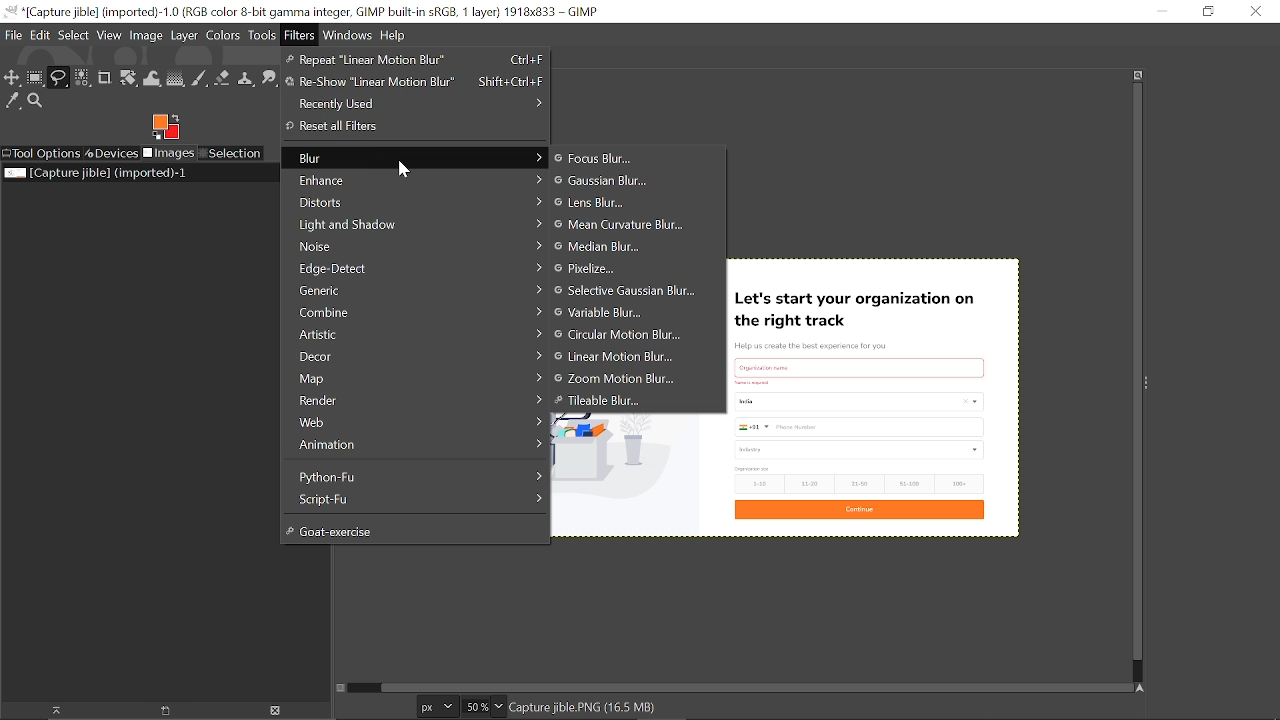 This screenshot has width=1280, height=720. What do you see at coordinates (412, 335) in the screenshot?
I see `Artistic` at bounding box center [412, 335].